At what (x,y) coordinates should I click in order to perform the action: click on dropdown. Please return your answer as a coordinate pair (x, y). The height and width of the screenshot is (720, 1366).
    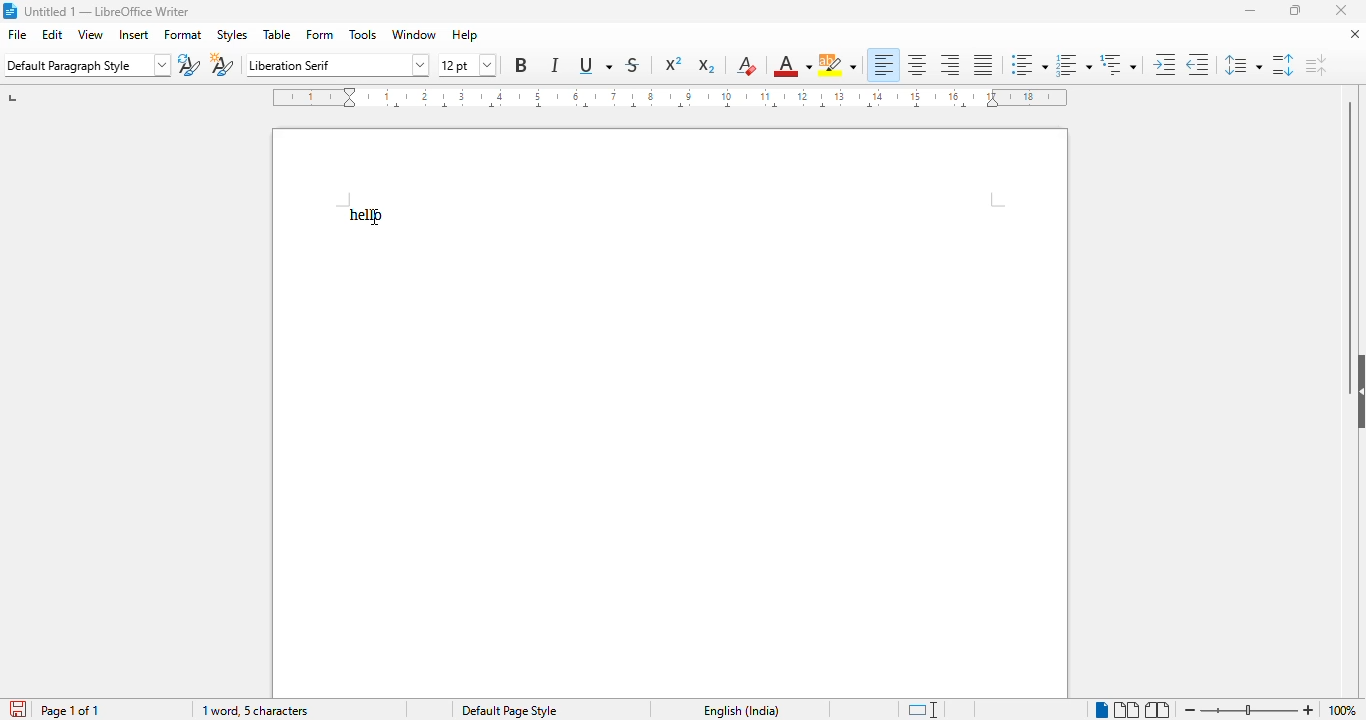
    Looking at the image, I should click on (163, 65).